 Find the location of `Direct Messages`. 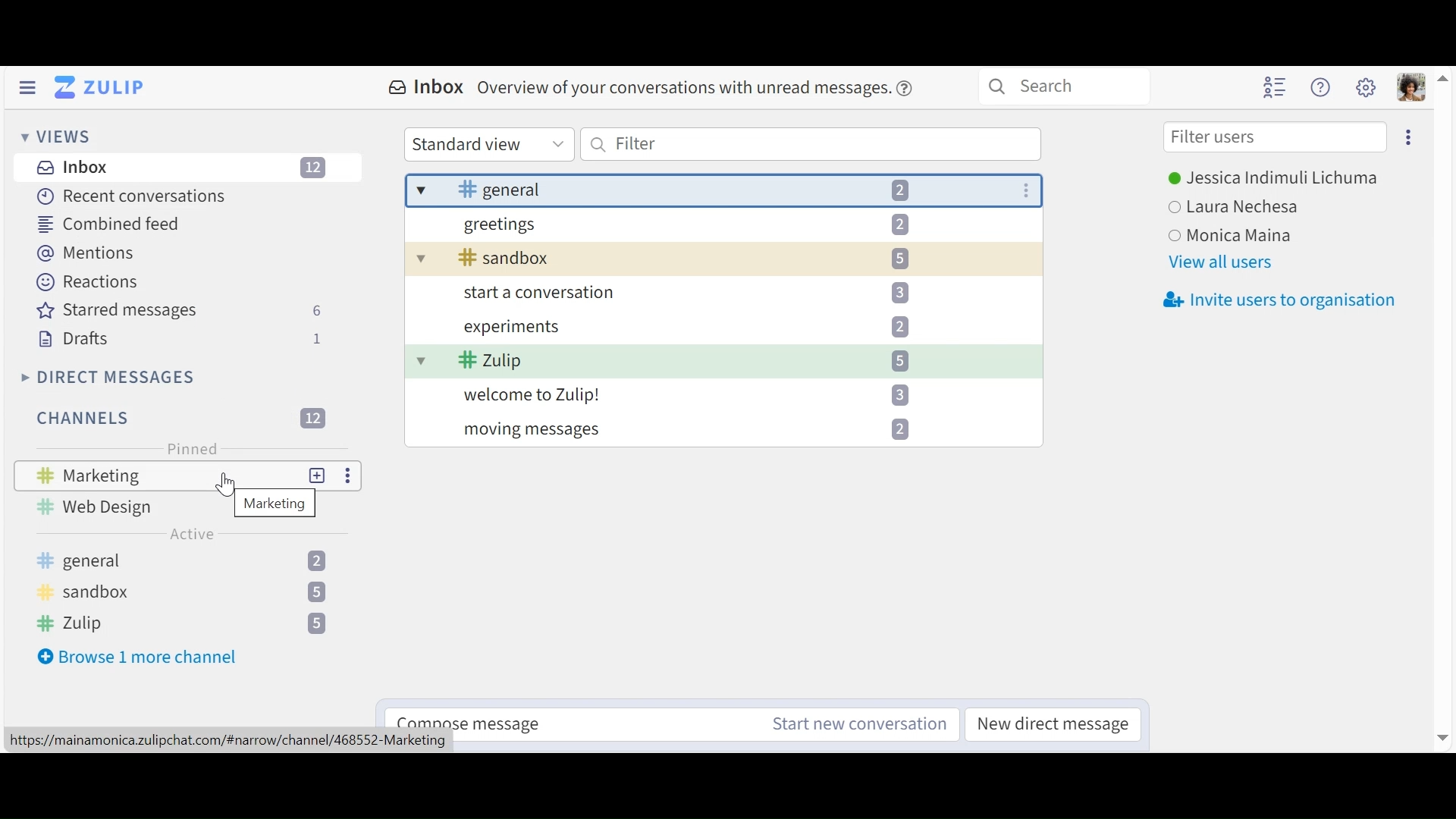

Direct Messages is located at coordinates (106, 377).